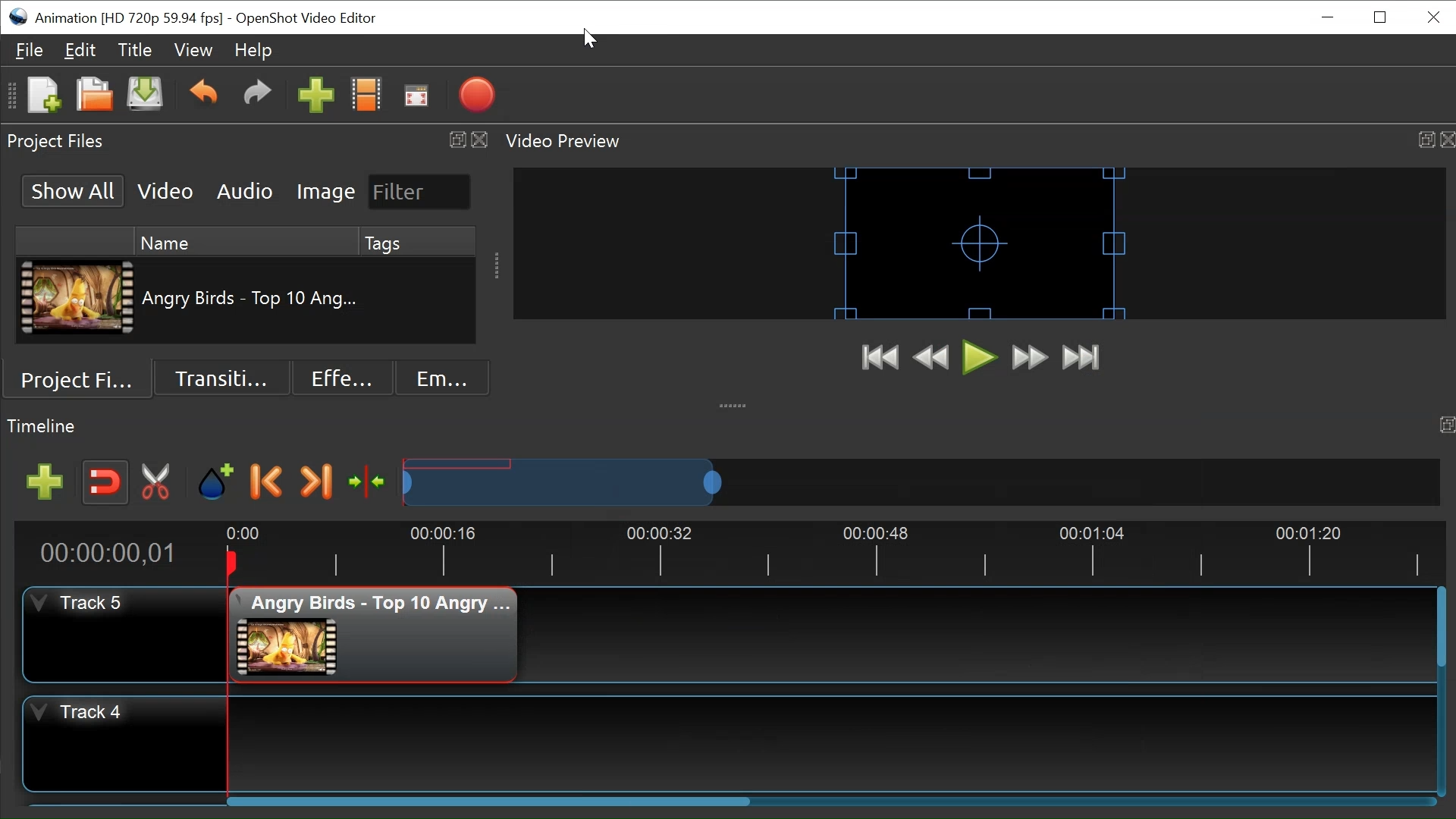  Describe the element at coordinates (375, 634) in the screenshot. I see `Clip` at that location.